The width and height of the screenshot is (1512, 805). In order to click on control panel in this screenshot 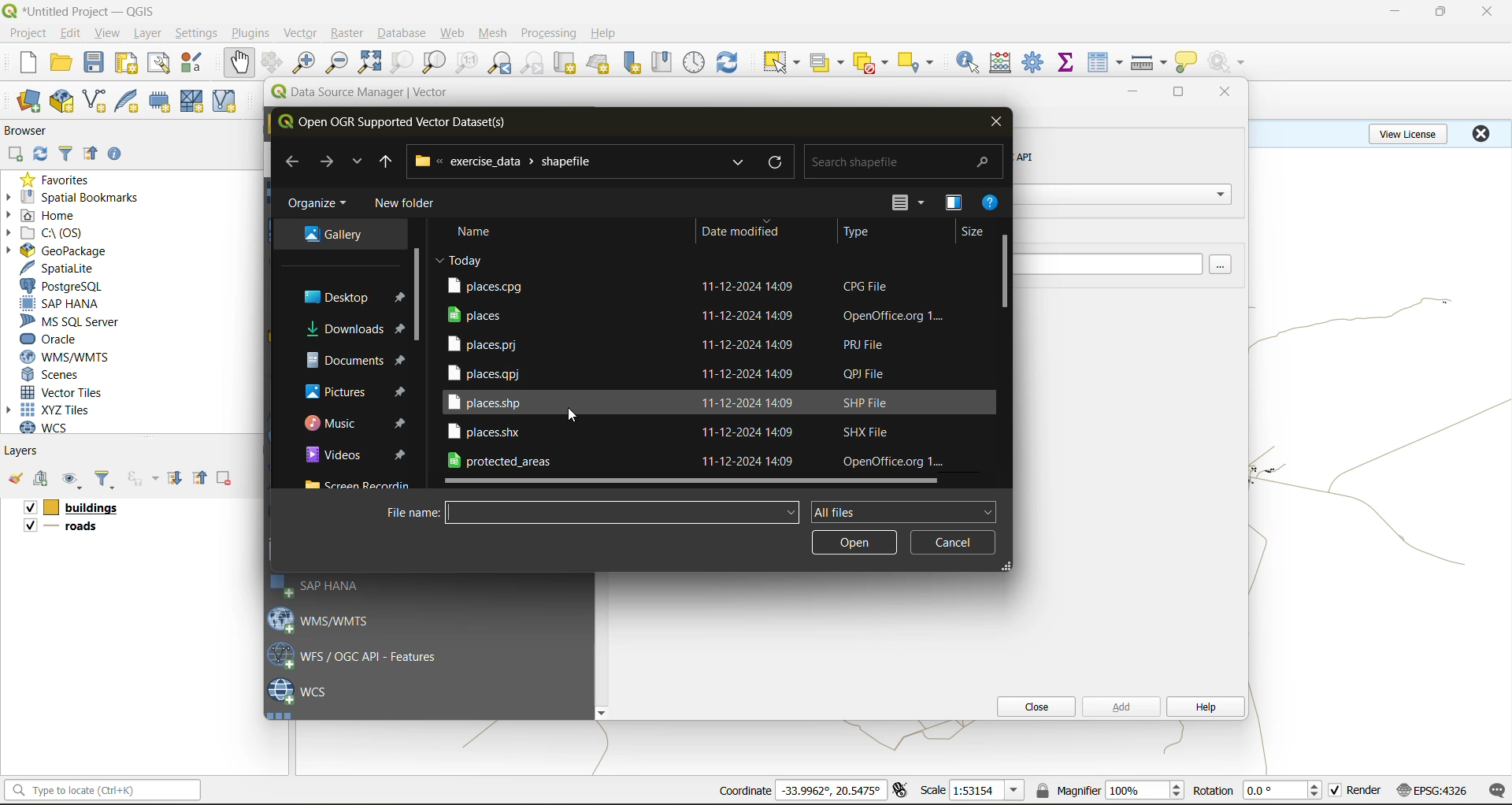, I will do `click(695, 63)`.